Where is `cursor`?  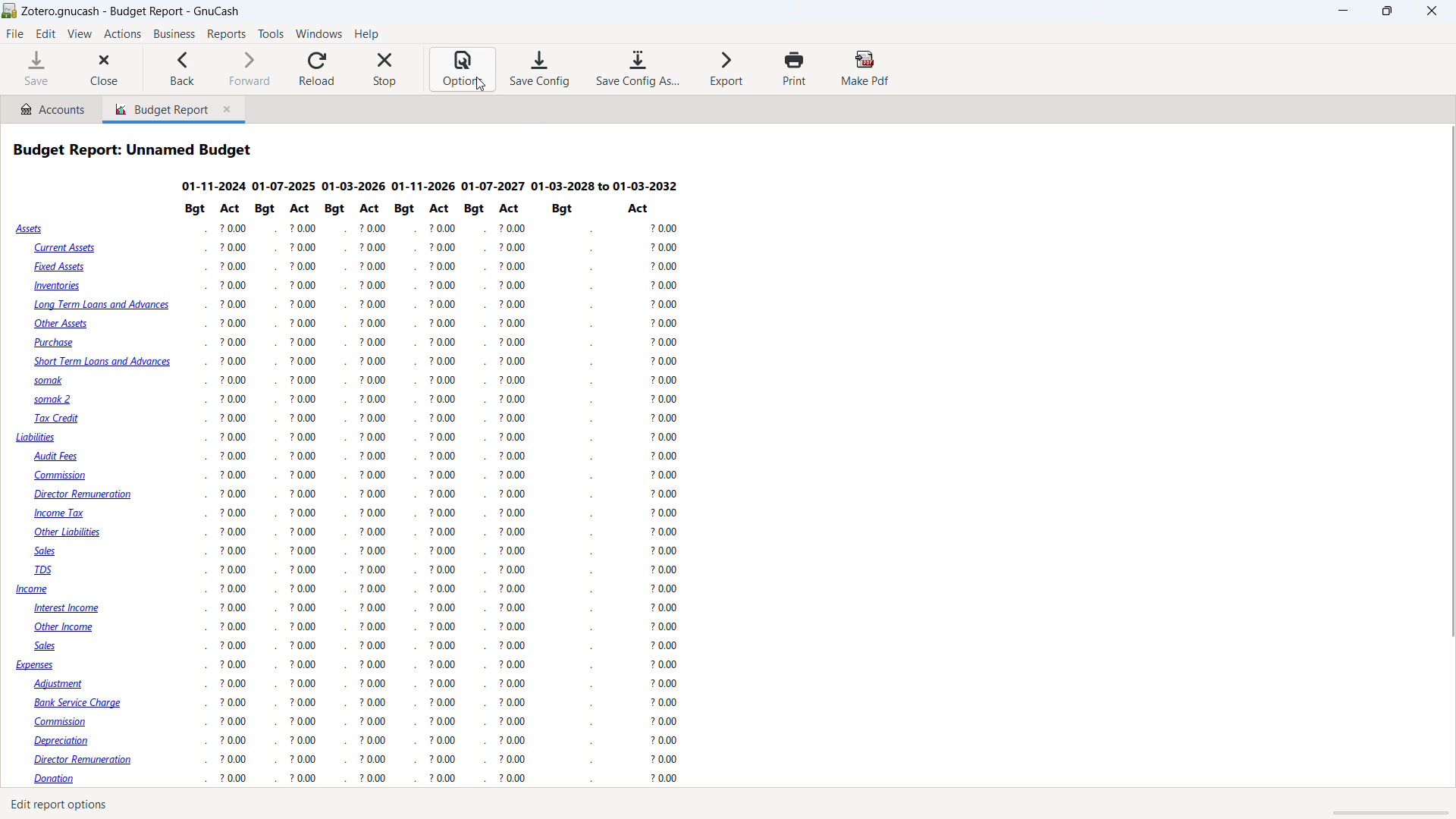
cursor is located at coordinates (481, 84).